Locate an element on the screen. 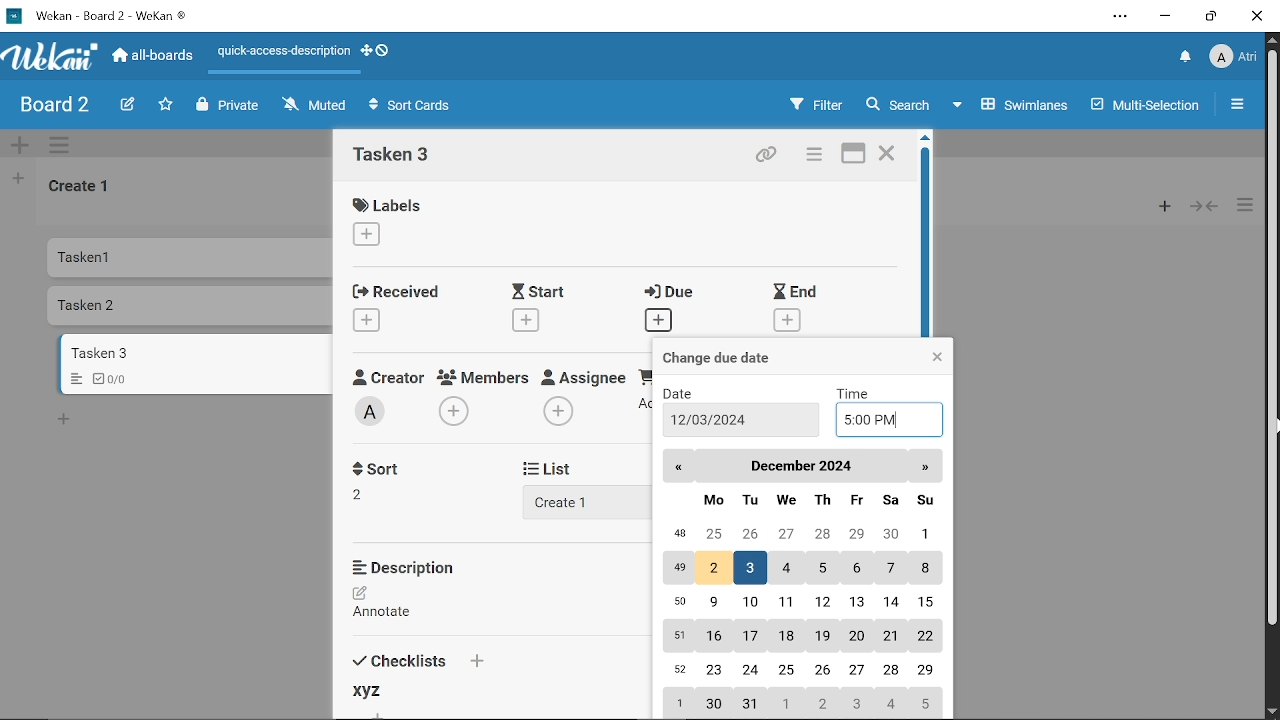 The height and width of the screenshot is (720, 1280). Cursor is located at coordinates (1272, 429).